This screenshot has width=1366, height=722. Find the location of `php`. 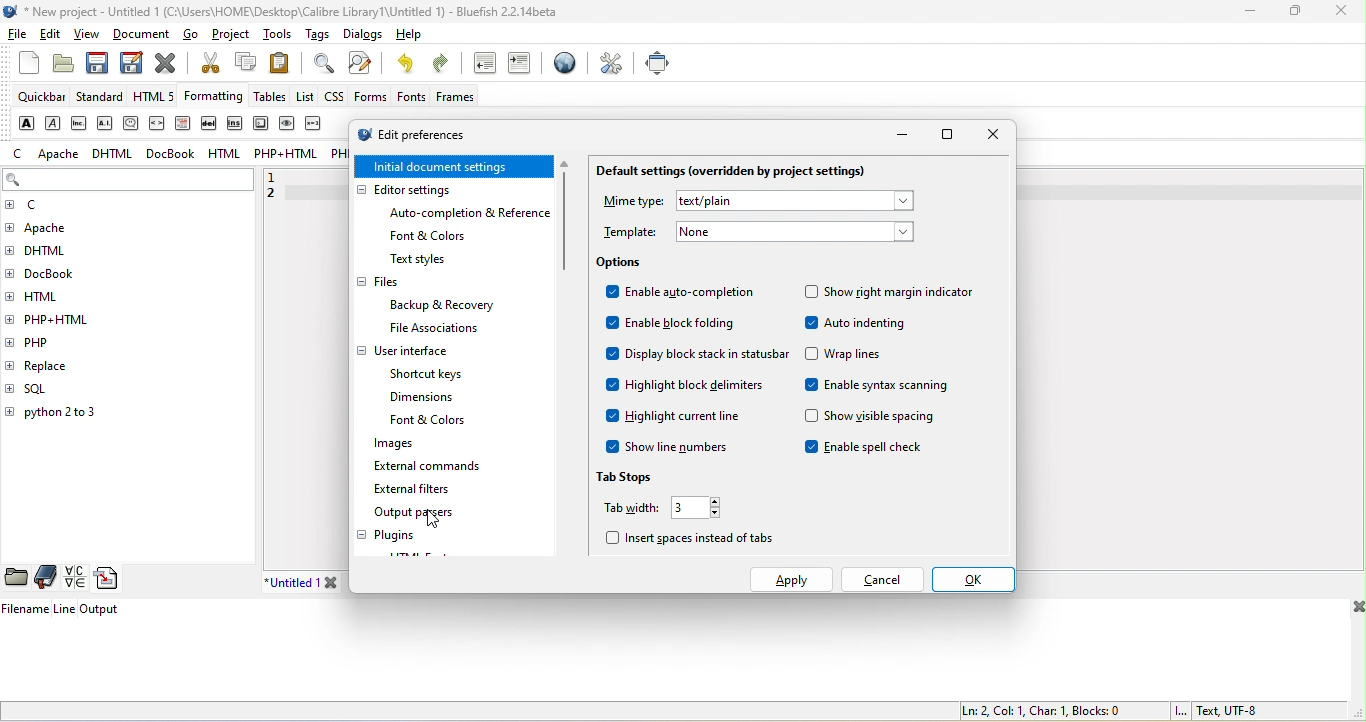

php is located at coordinates (339, 156).